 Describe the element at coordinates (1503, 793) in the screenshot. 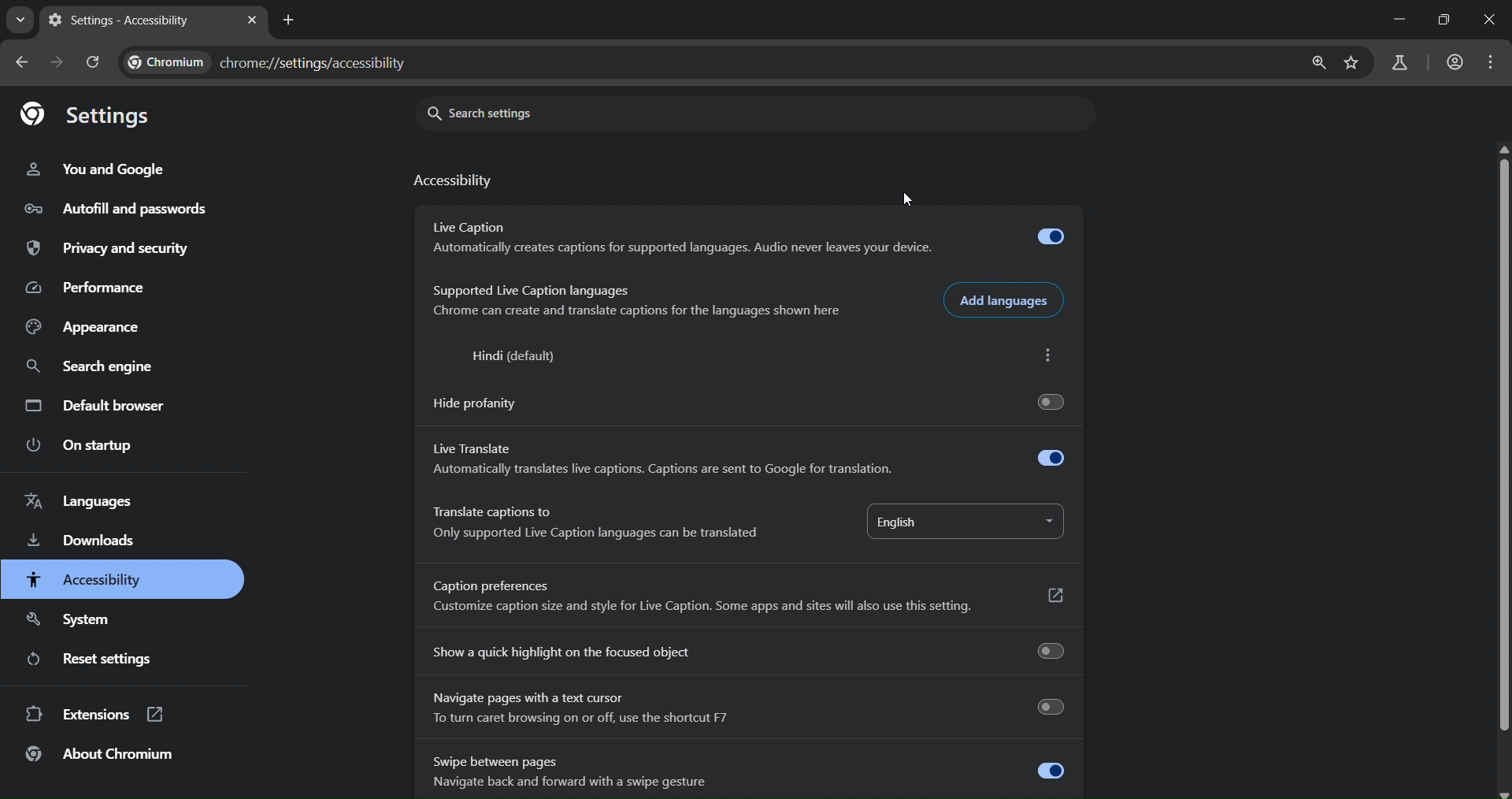

I see `scroll down` at that location.